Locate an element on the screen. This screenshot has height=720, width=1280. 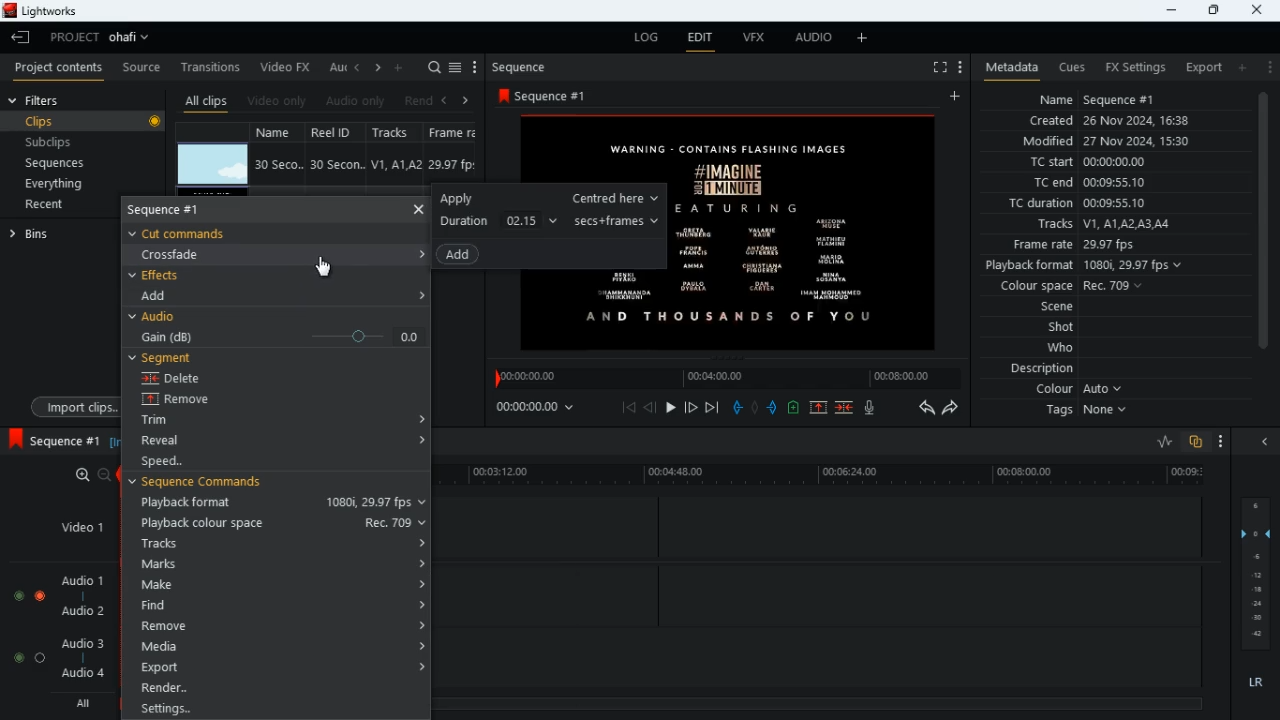
sequence is located at coordinates (53, 440).